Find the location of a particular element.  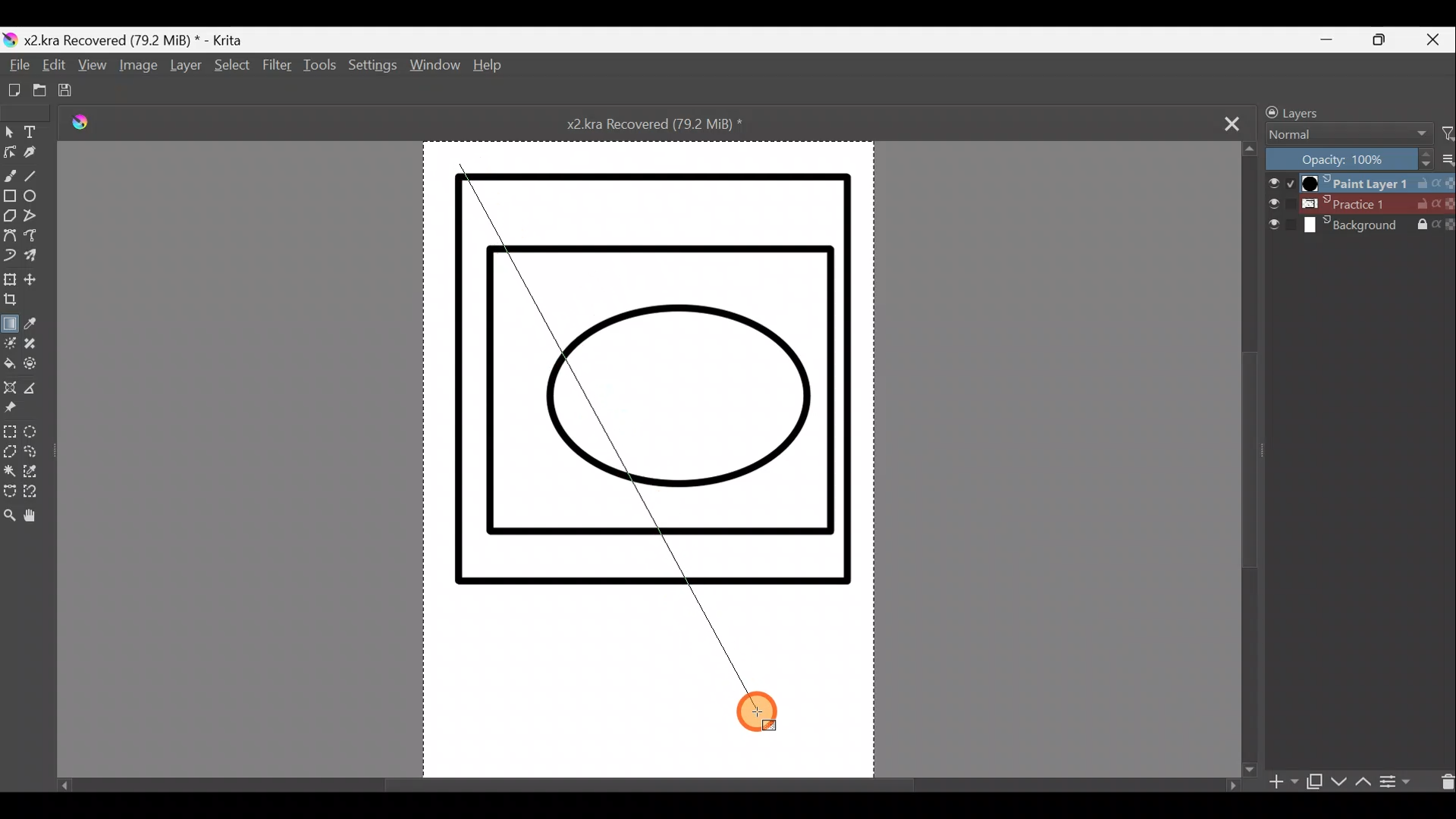

Layers is located at coordinates (1332, 110).